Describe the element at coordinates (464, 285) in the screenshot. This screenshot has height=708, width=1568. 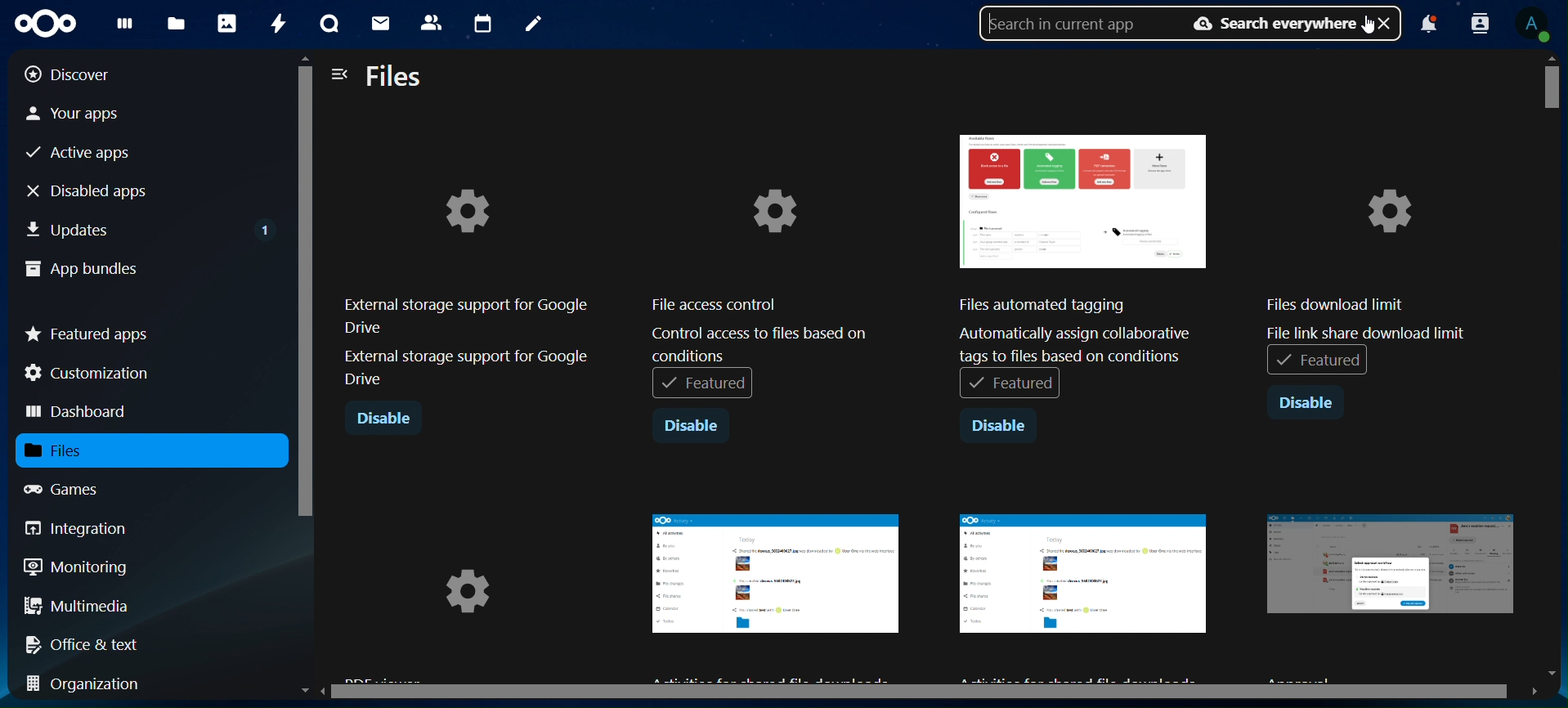
I see `external storage support for google drive external storage support for google drive` at that location.